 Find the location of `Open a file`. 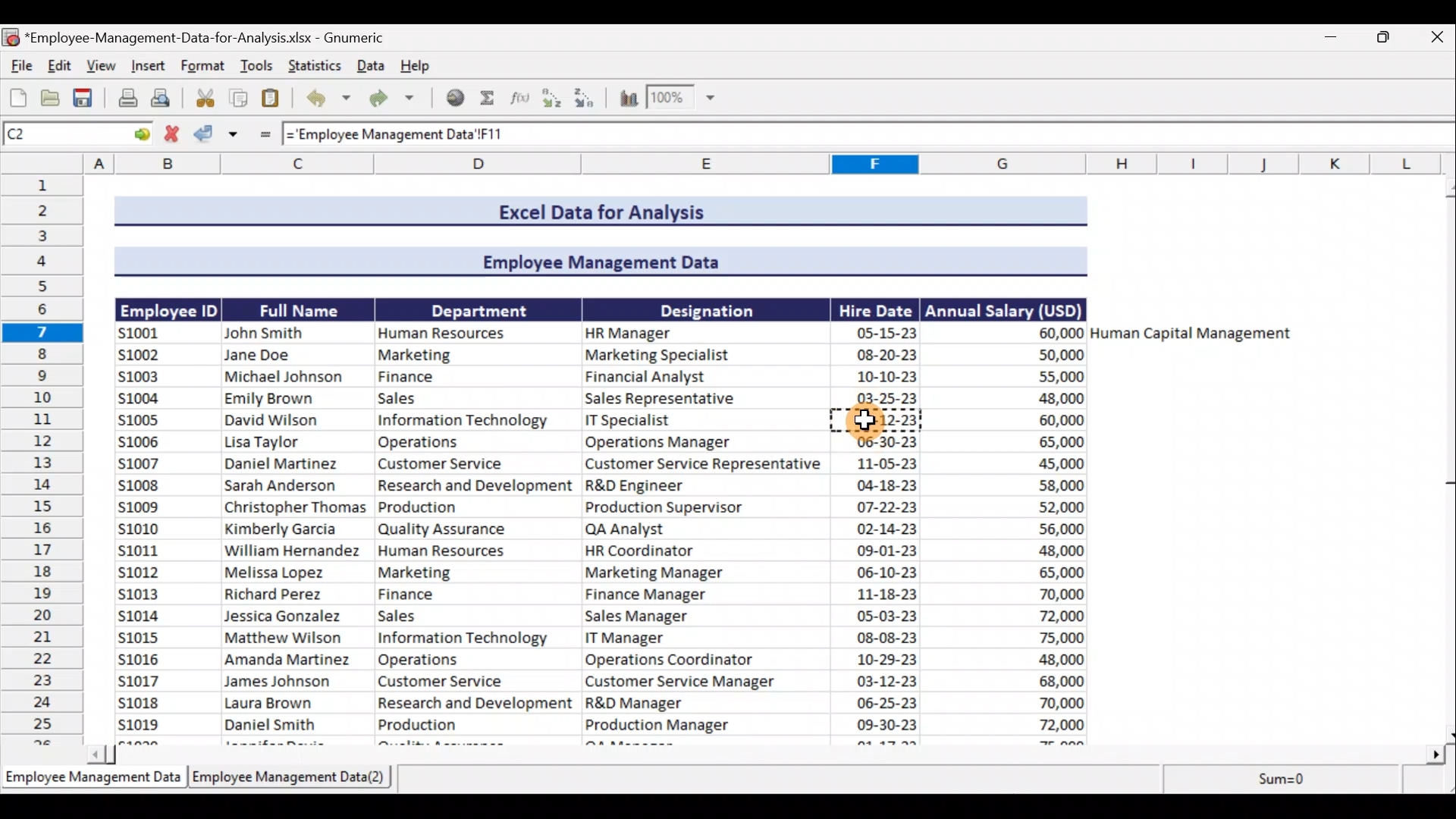

Open a file is located at coordinates (51, 99).